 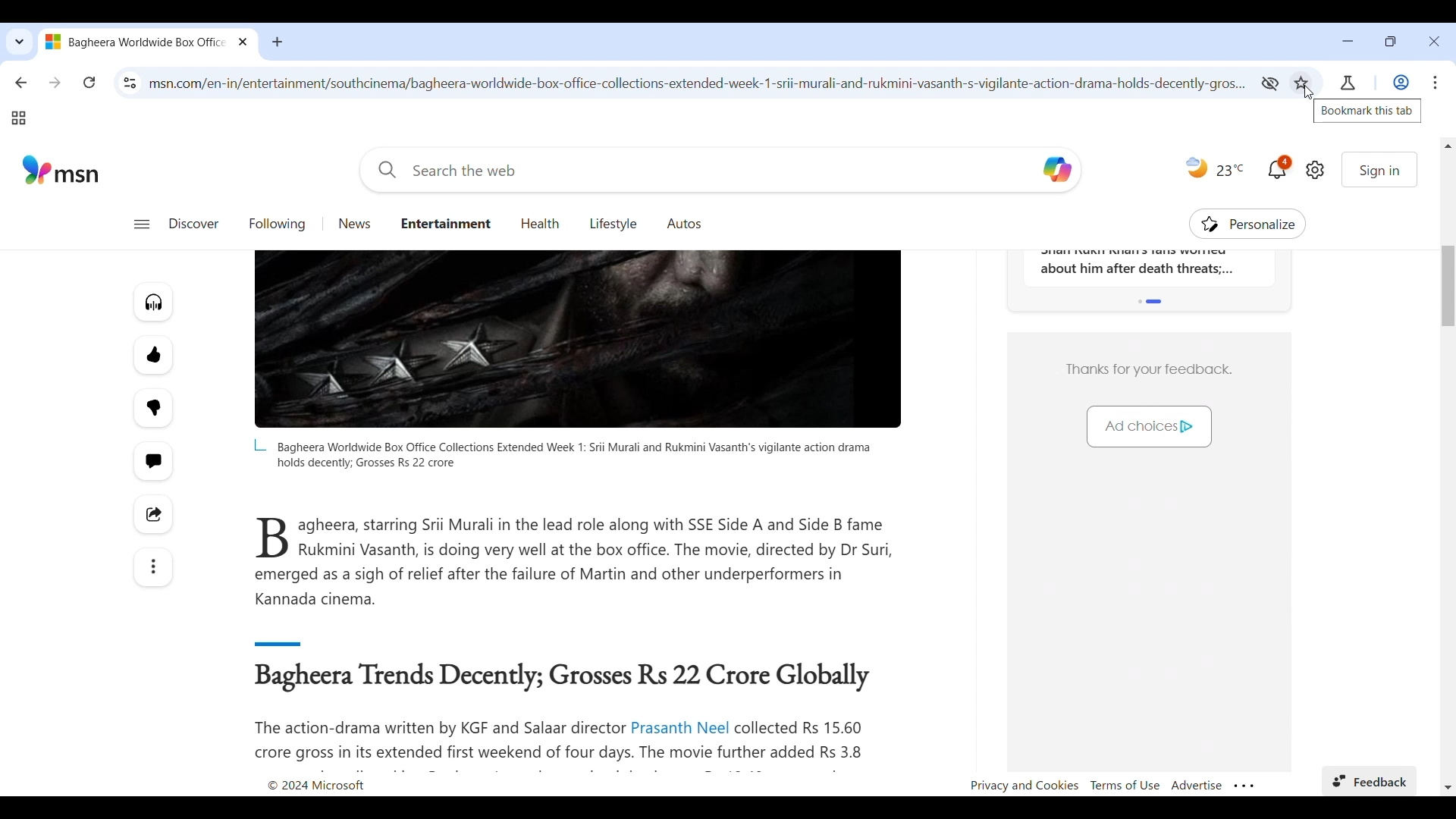 I want to click on Third-party cookies limited, so click(x=1269, y=83).